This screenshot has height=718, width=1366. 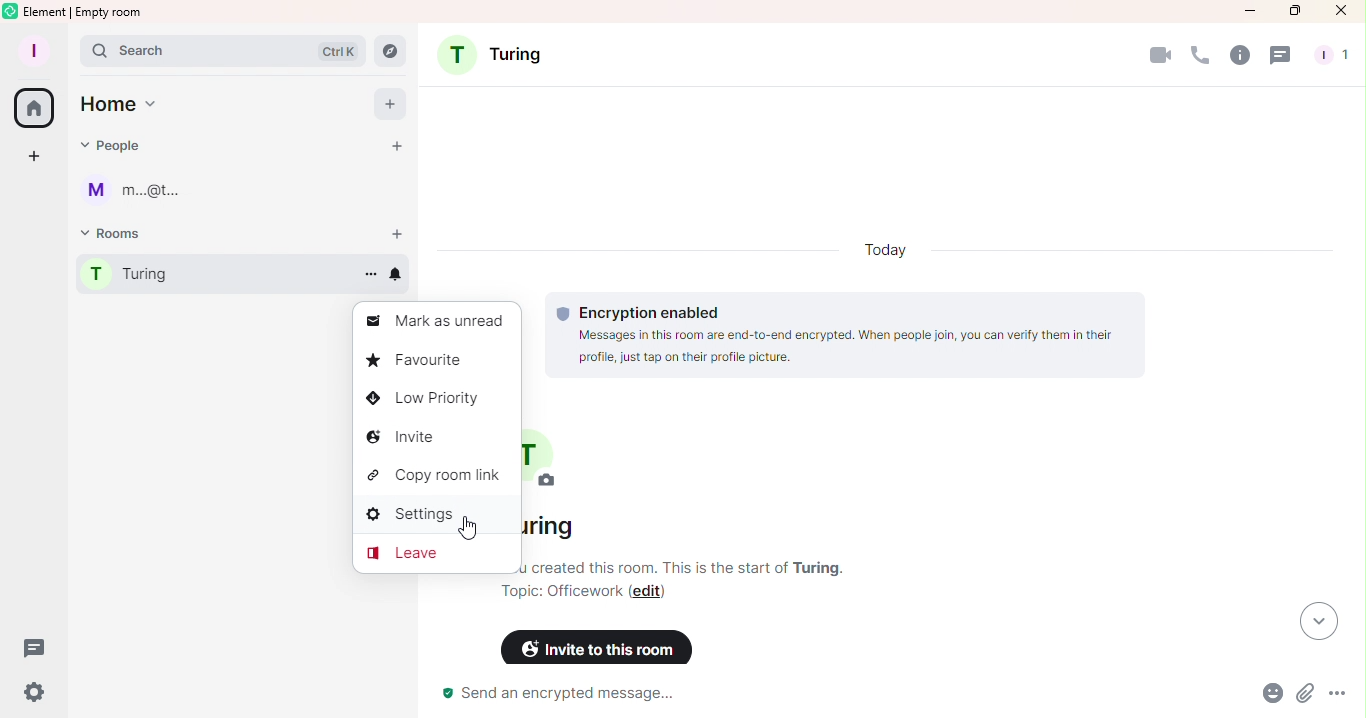 I want to click on Attachment, so click(x=1303, y=696).